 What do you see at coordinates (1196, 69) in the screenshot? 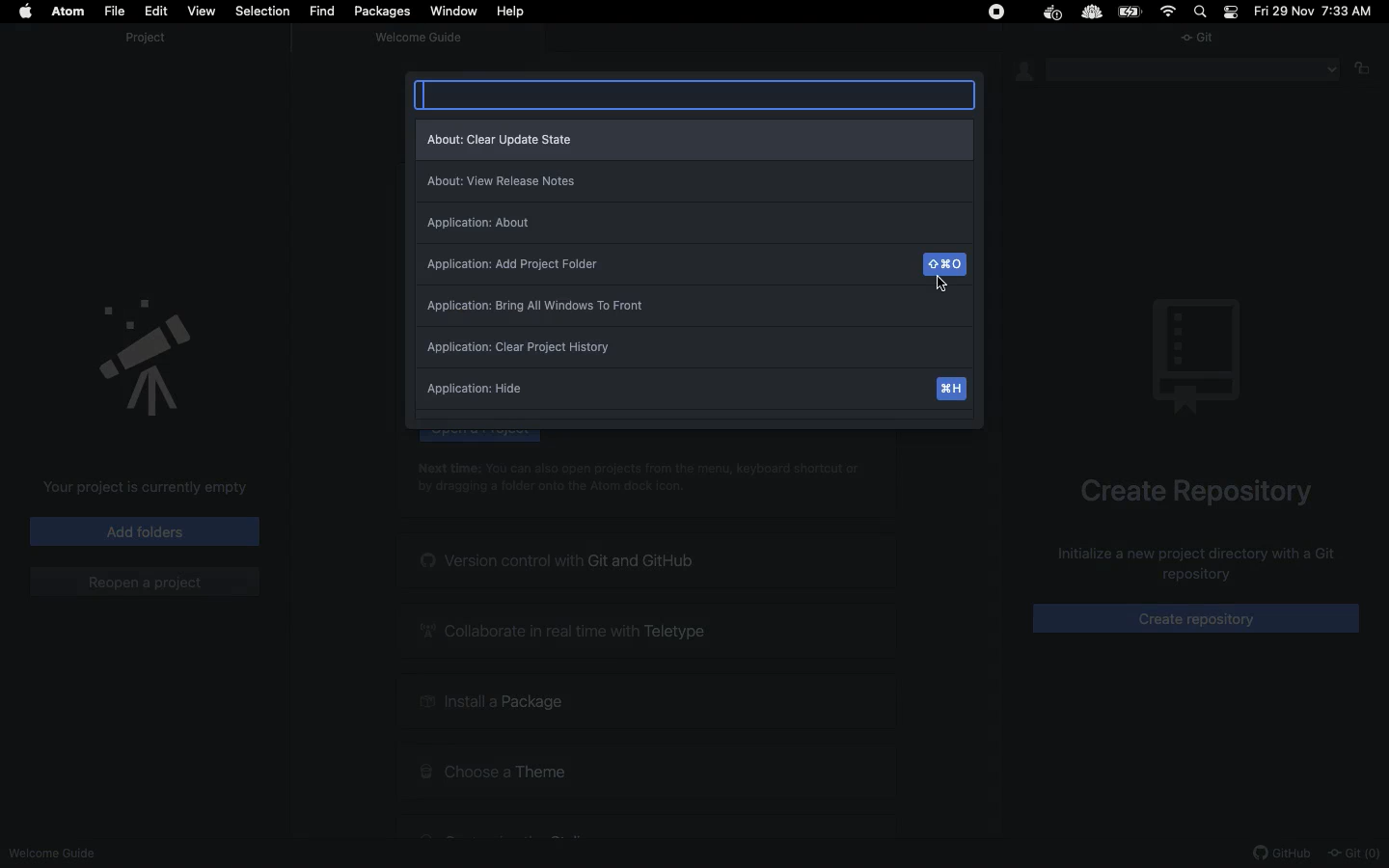
I see `Menu` at bounding box center [1196, 69].